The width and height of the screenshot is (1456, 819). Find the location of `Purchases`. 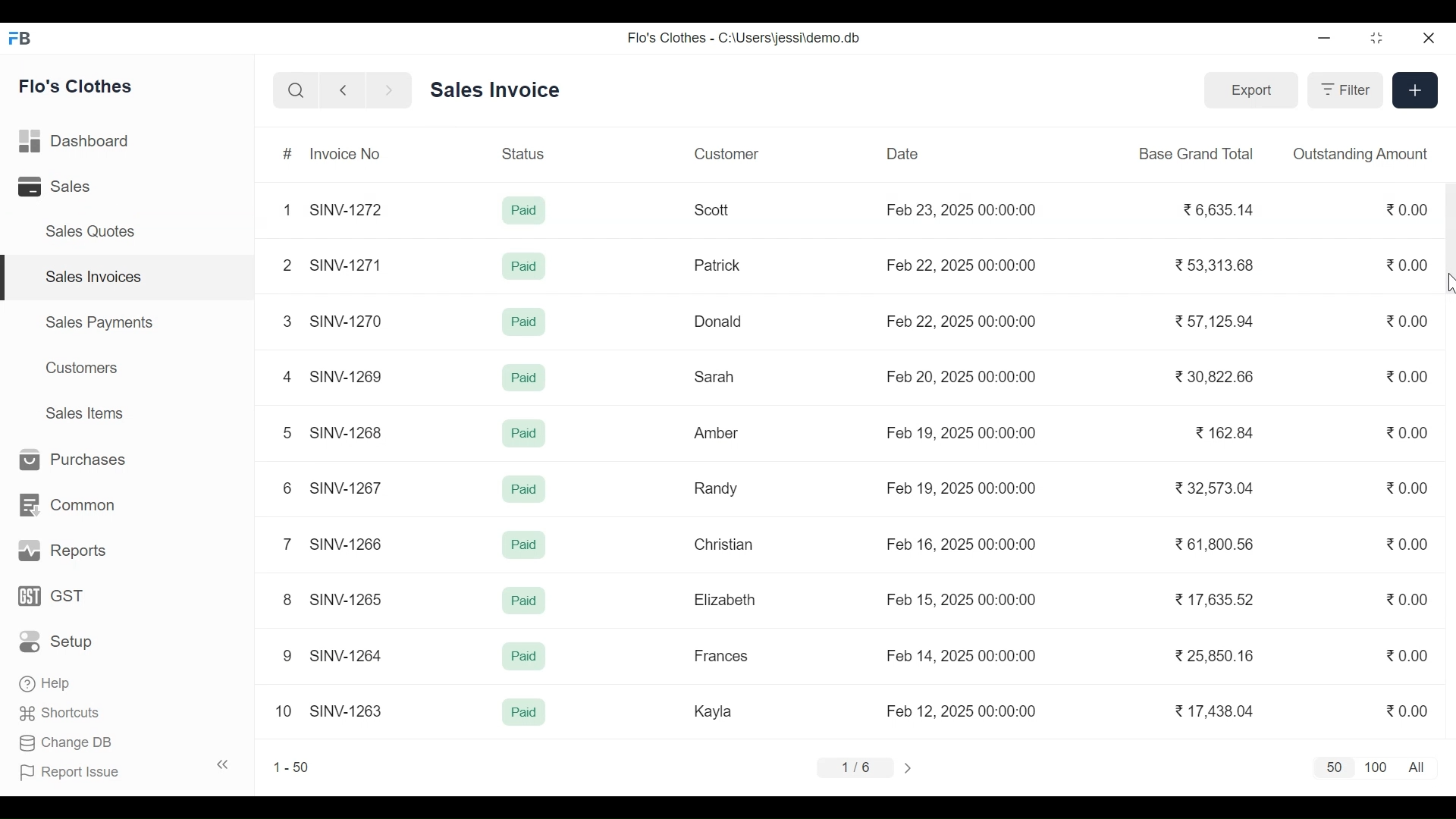

Purchases is located at coordinates (67, 460).